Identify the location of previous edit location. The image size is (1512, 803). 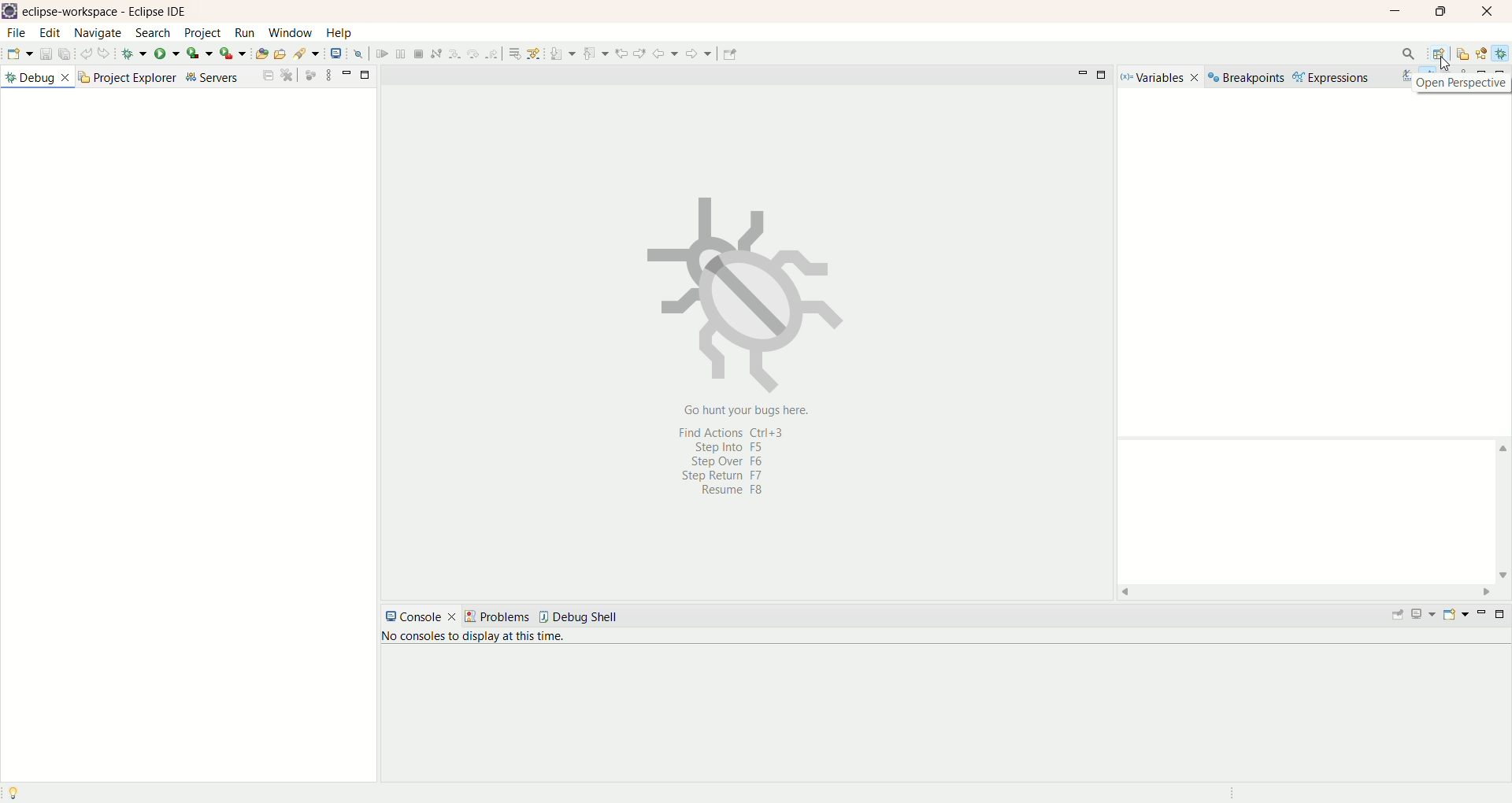
(728, 54).